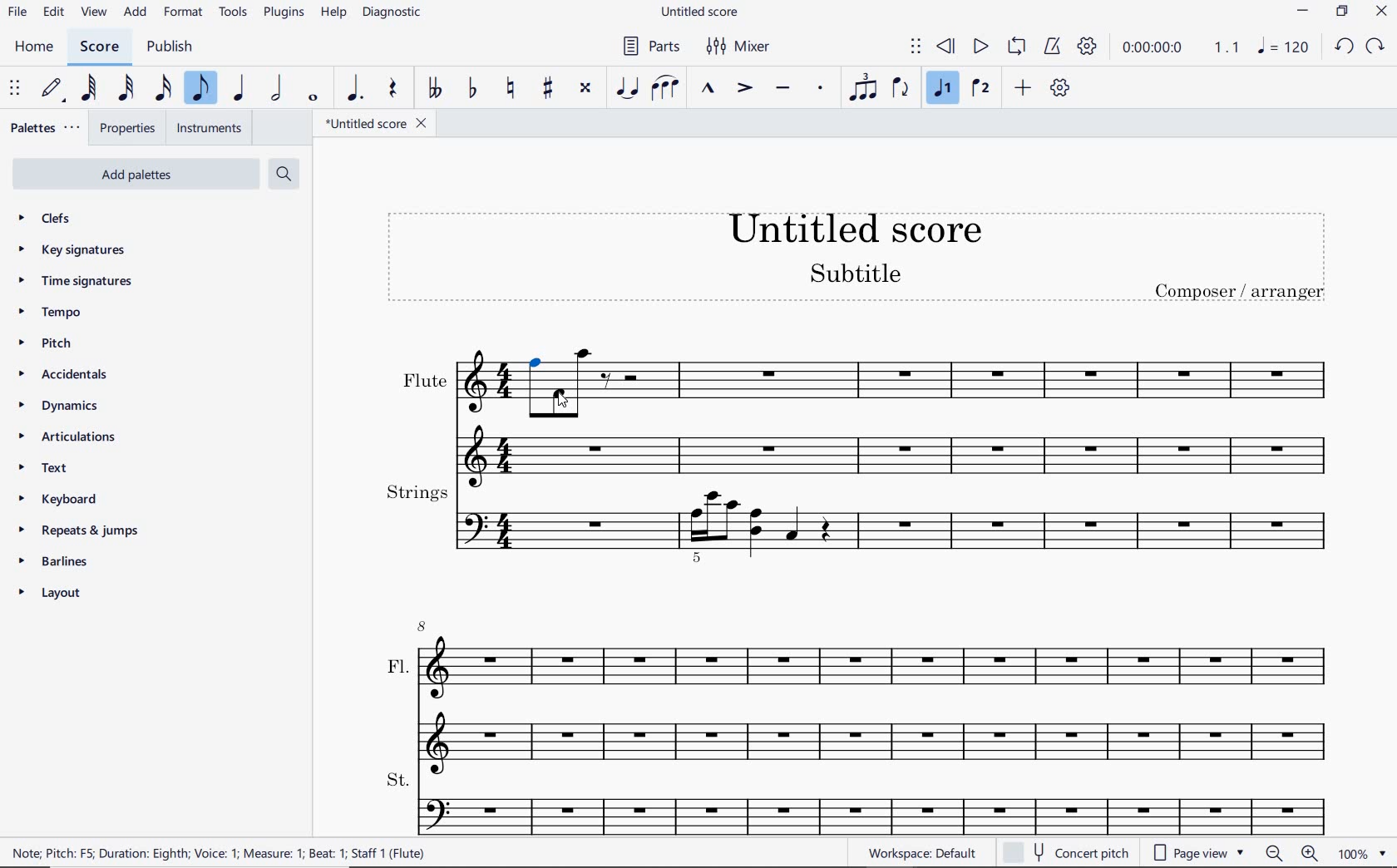 Image resolution: width=1397 pixels, height=868 pixels. I want to click on DEFAULT (STEP TIME), so click(50, 89).